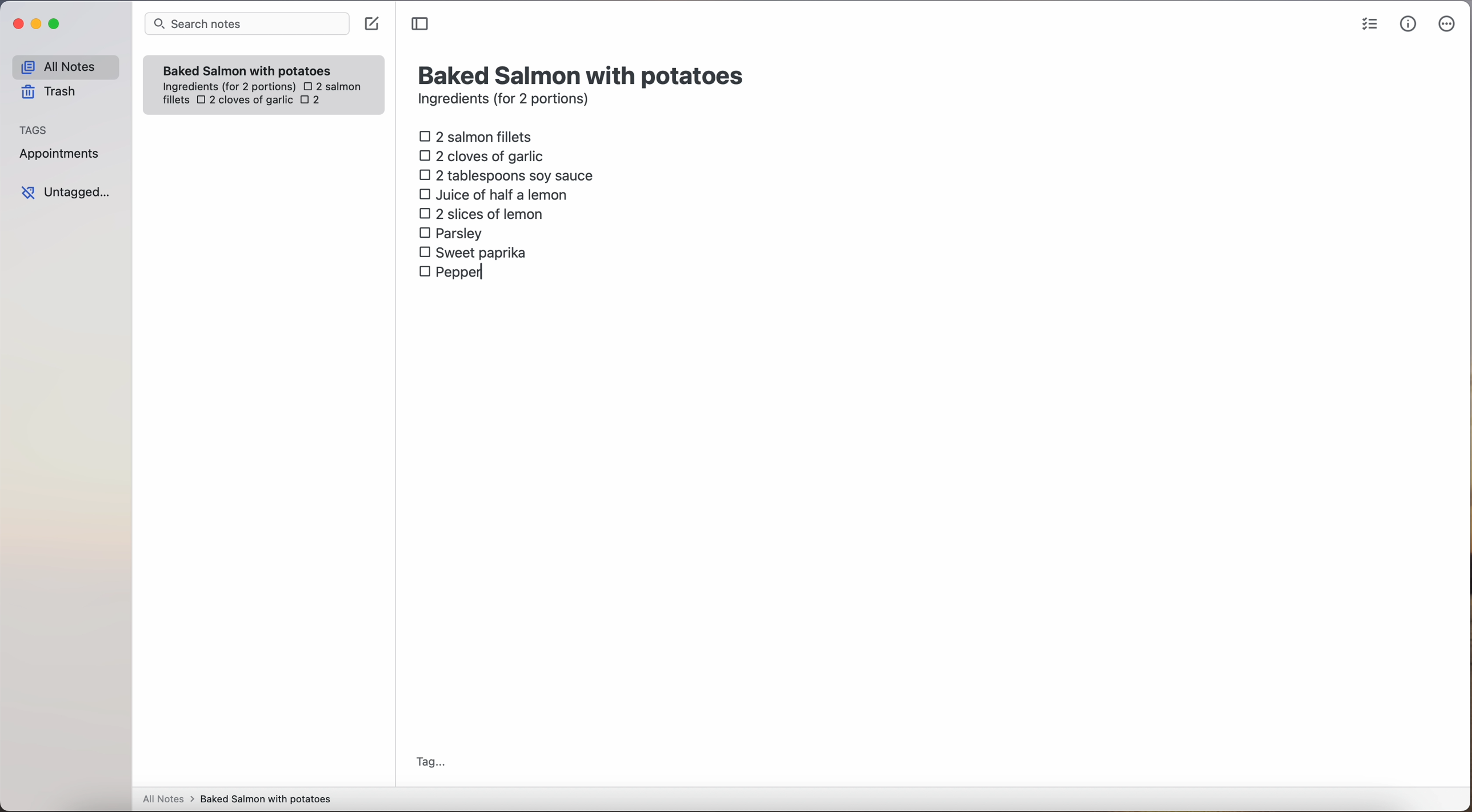 Image resolution: width=1472 pixels, height=812 pixels. Describe the element at coordinates (1409, 23) in the screenshot. I see `metrics` at that location.